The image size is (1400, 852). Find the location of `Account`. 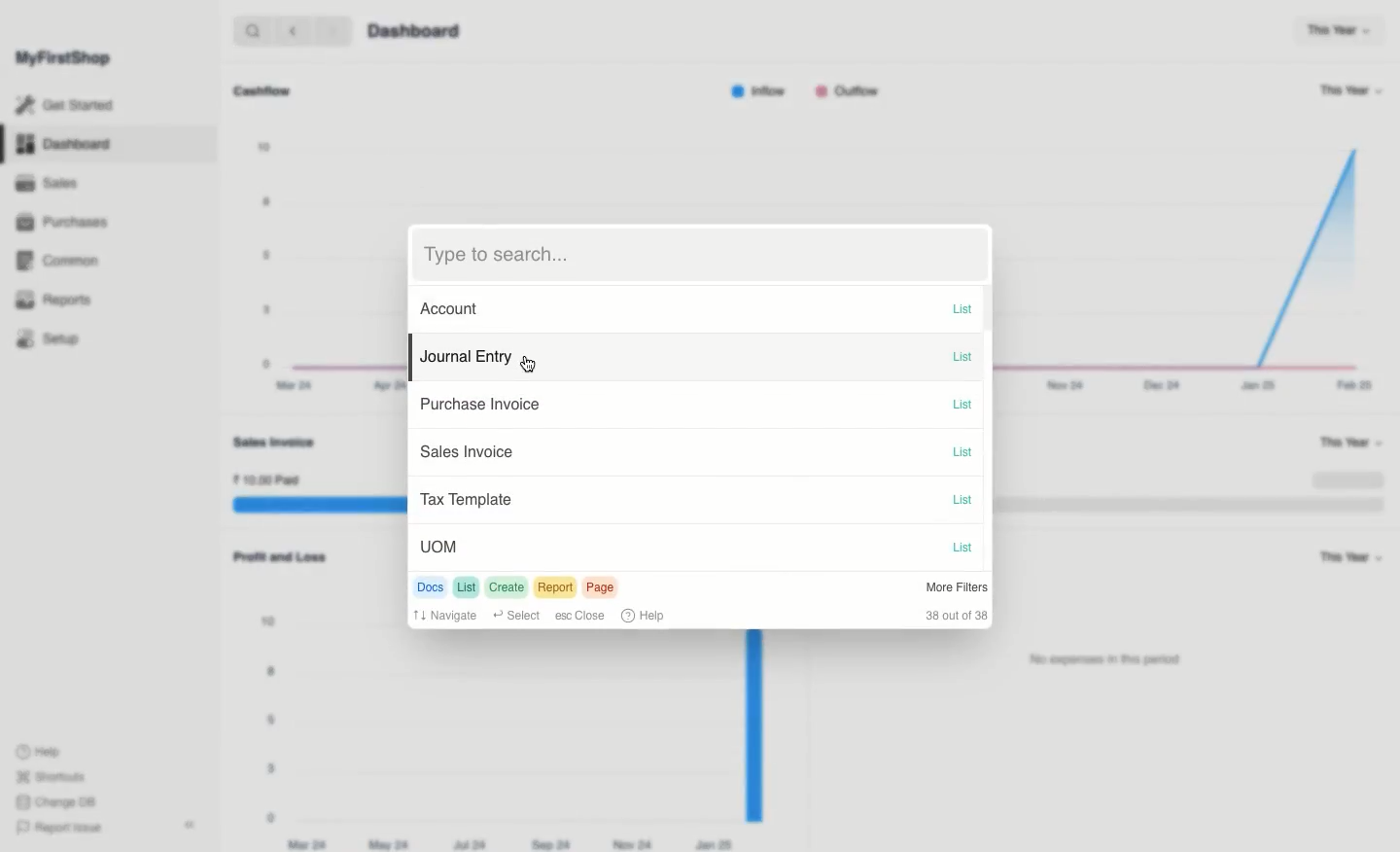

Account is located at coordinates (459, 308).